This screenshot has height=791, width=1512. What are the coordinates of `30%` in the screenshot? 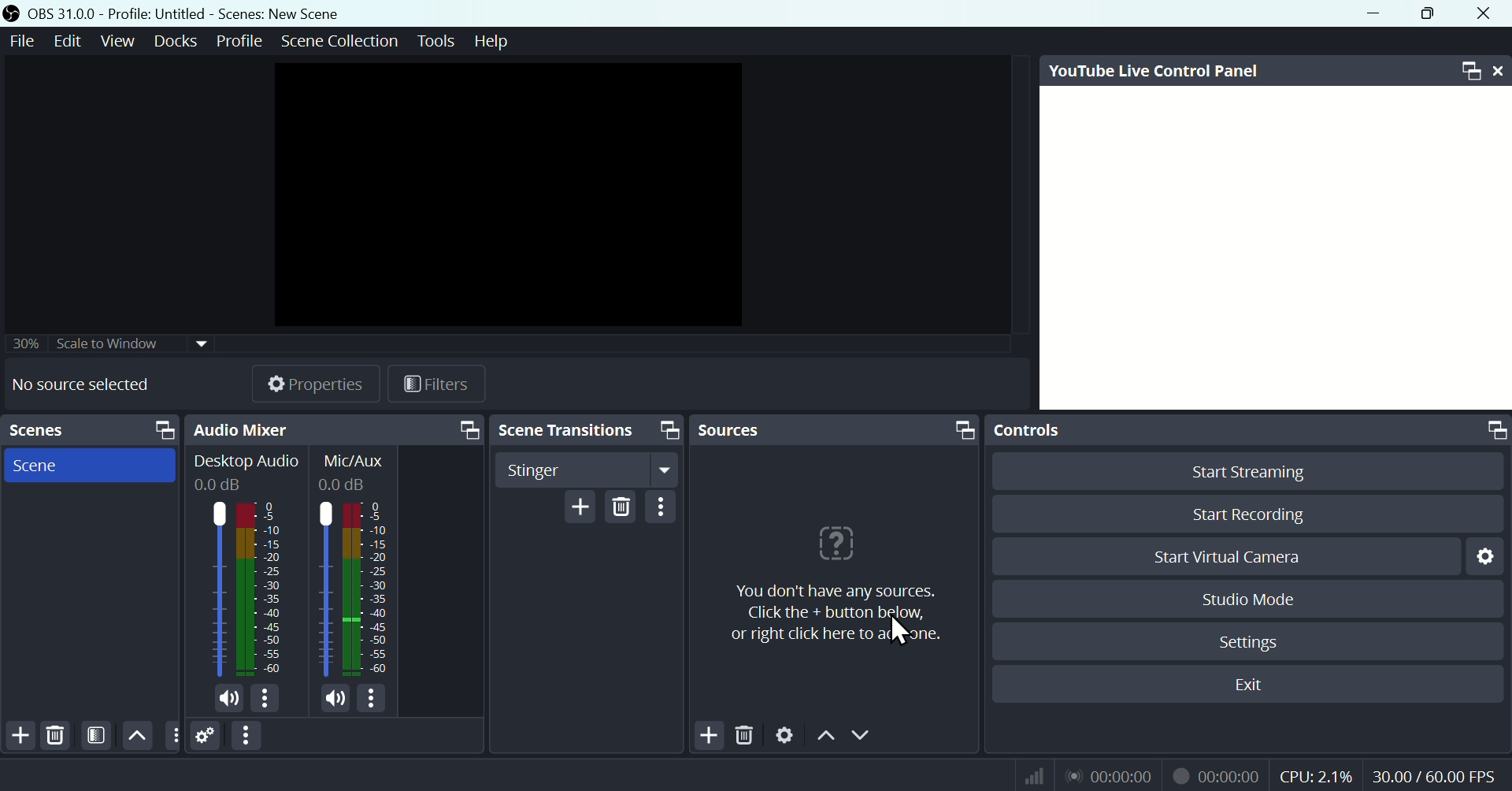 It's located at (23, 343).